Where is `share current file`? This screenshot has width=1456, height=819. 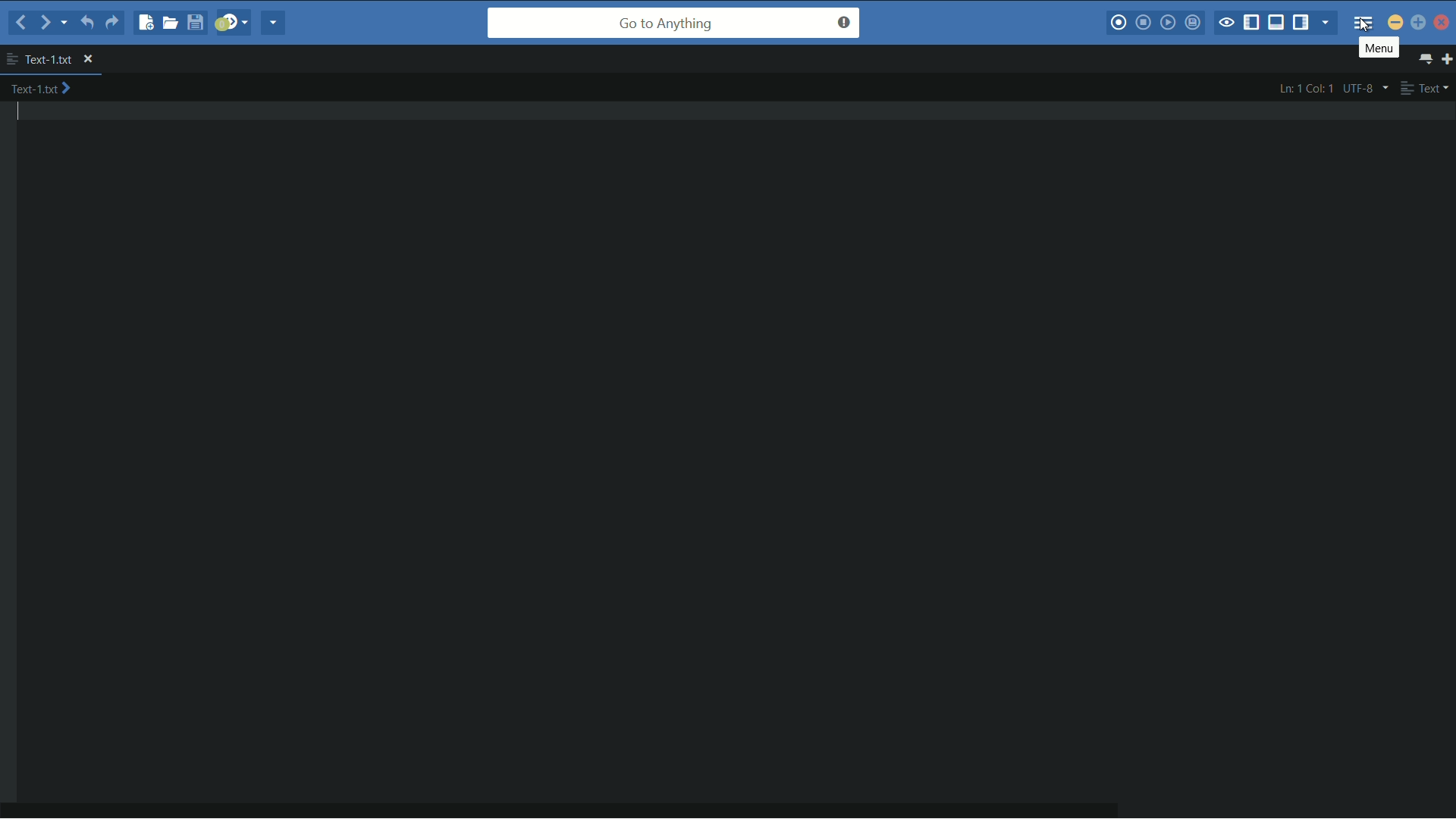 share current file is located at coordinates (275, 24).